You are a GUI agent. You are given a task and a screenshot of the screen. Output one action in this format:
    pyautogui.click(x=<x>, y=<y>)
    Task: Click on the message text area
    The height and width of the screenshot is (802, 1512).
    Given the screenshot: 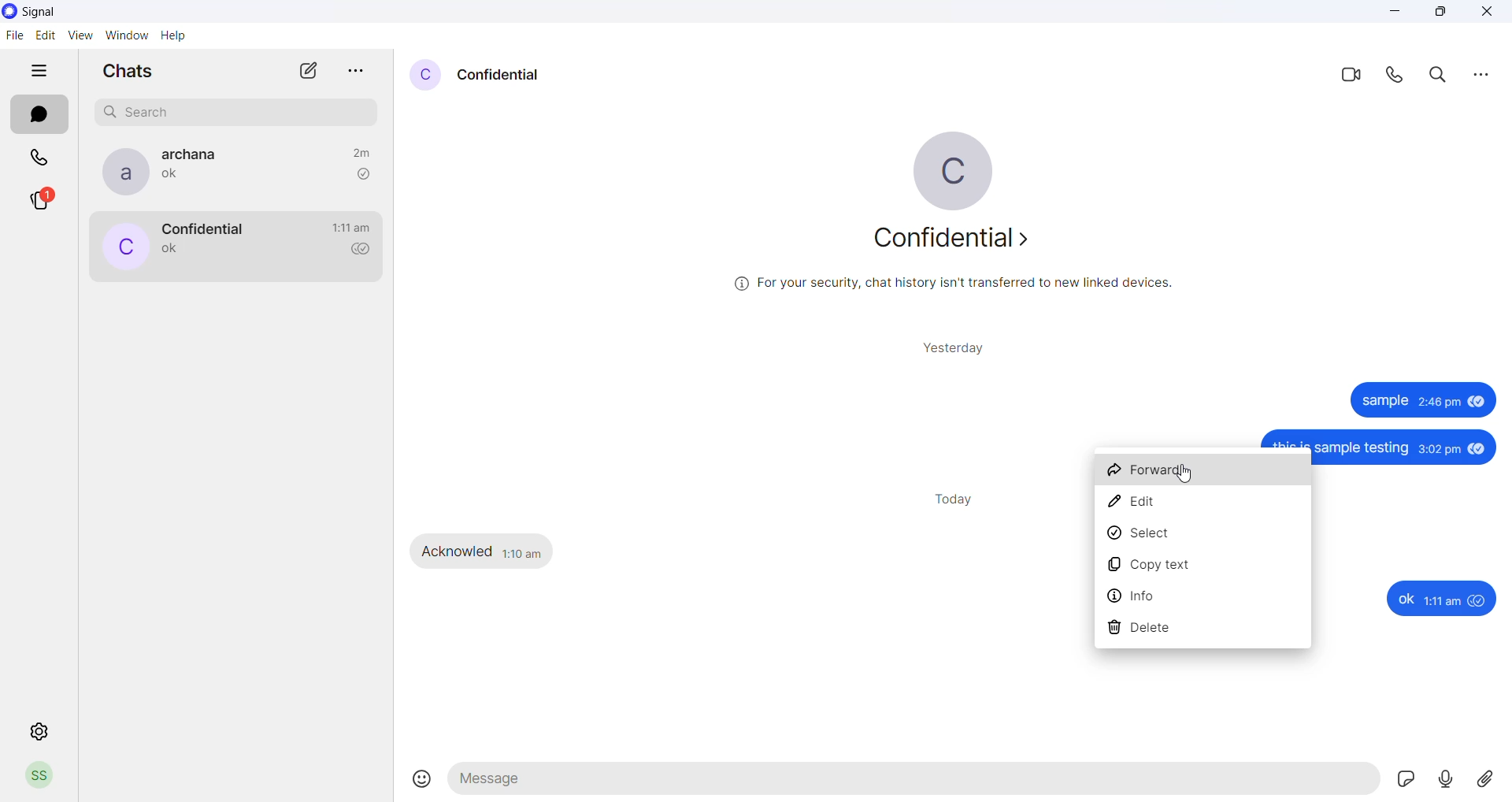 What is the action you would take?
    pyautogui.click(x=916, y=783)
    